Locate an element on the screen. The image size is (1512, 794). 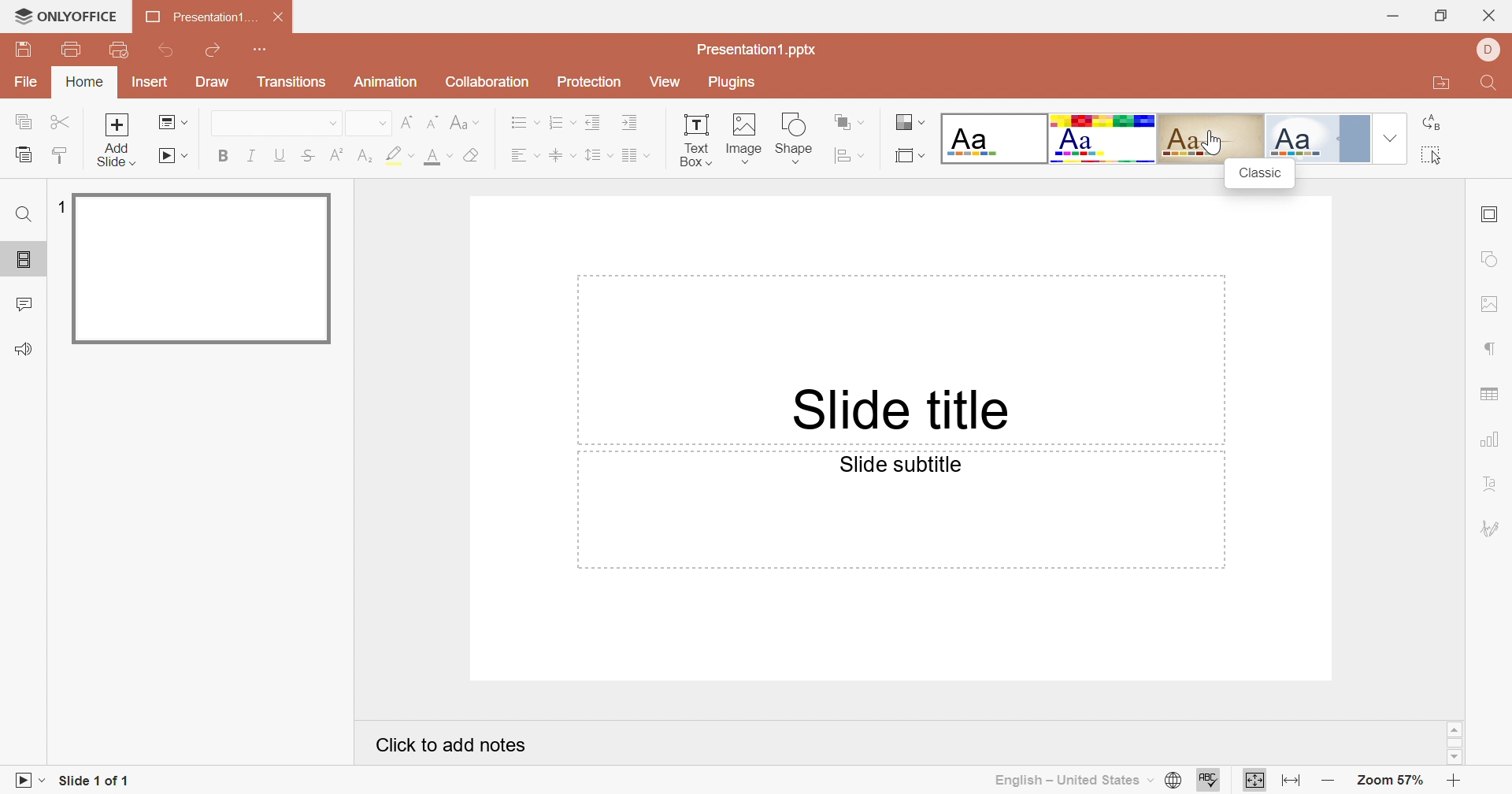
Slides is located at coordinates (24, 258).